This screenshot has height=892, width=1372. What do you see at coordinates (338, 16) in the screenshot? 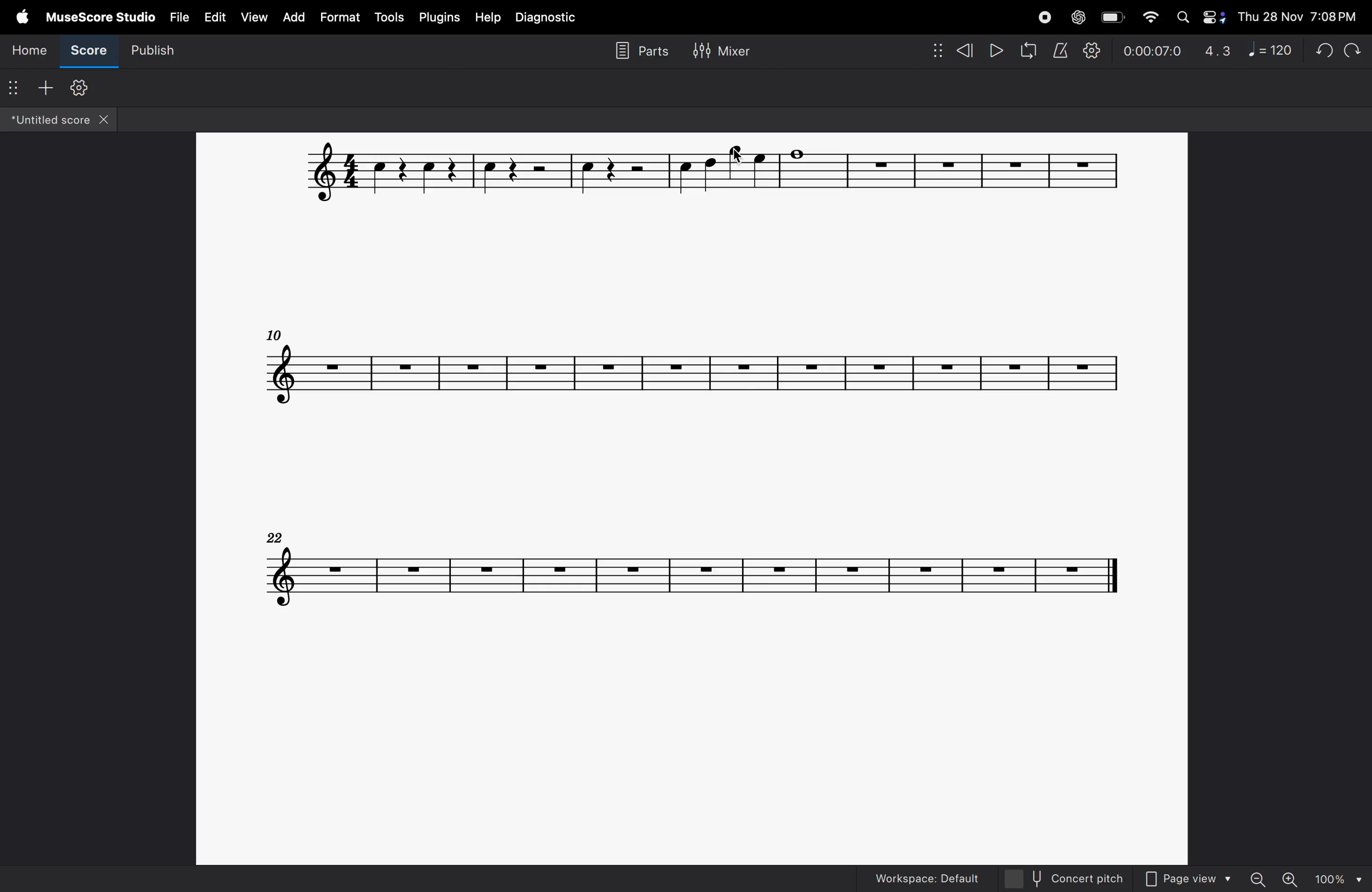
I see `format` at bounding box center [338, 16].